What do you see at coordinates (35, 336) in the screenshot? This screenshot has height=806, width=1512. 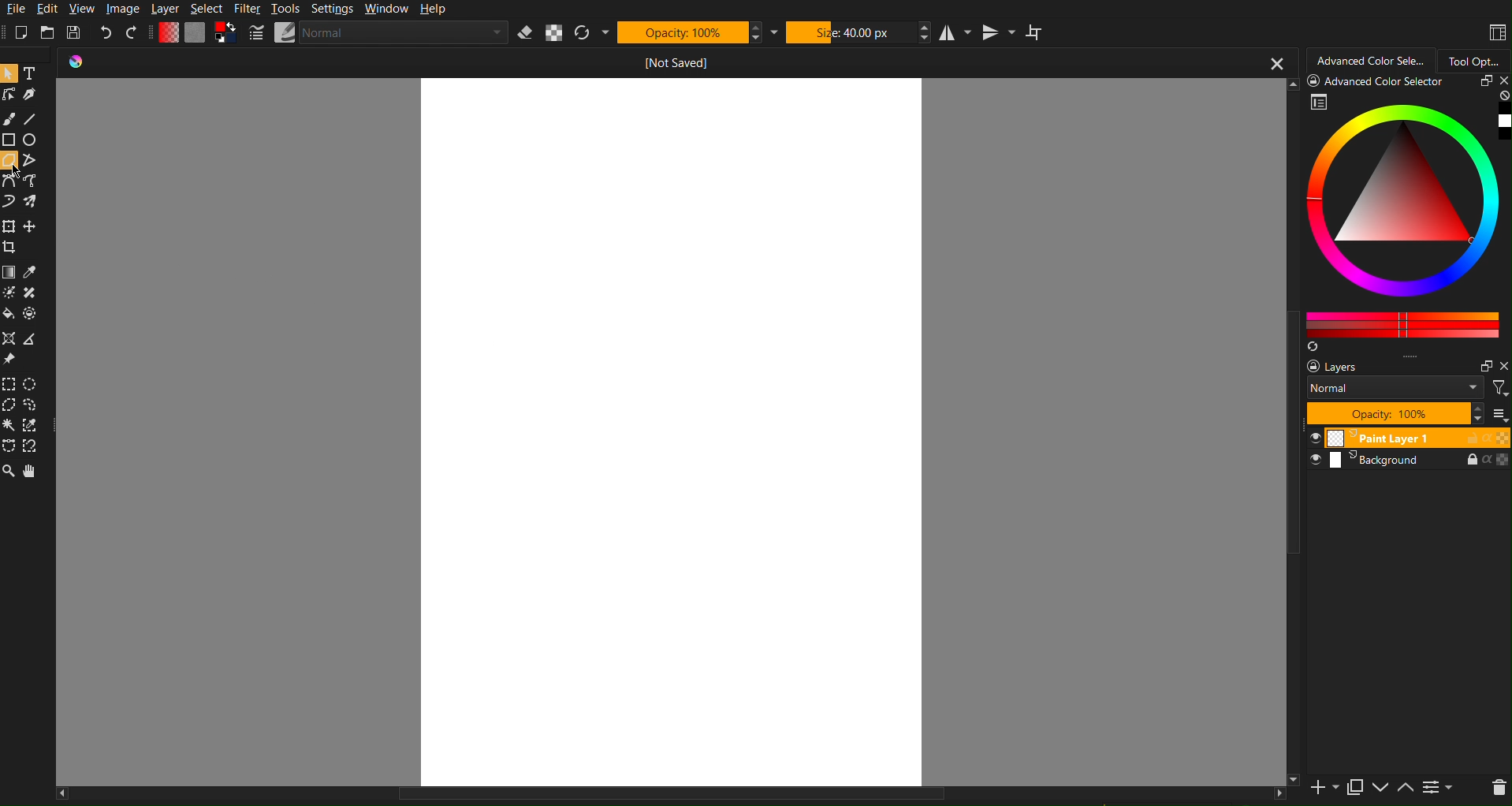 I see `measure the distance between two points` at bounding box center [35, 336].